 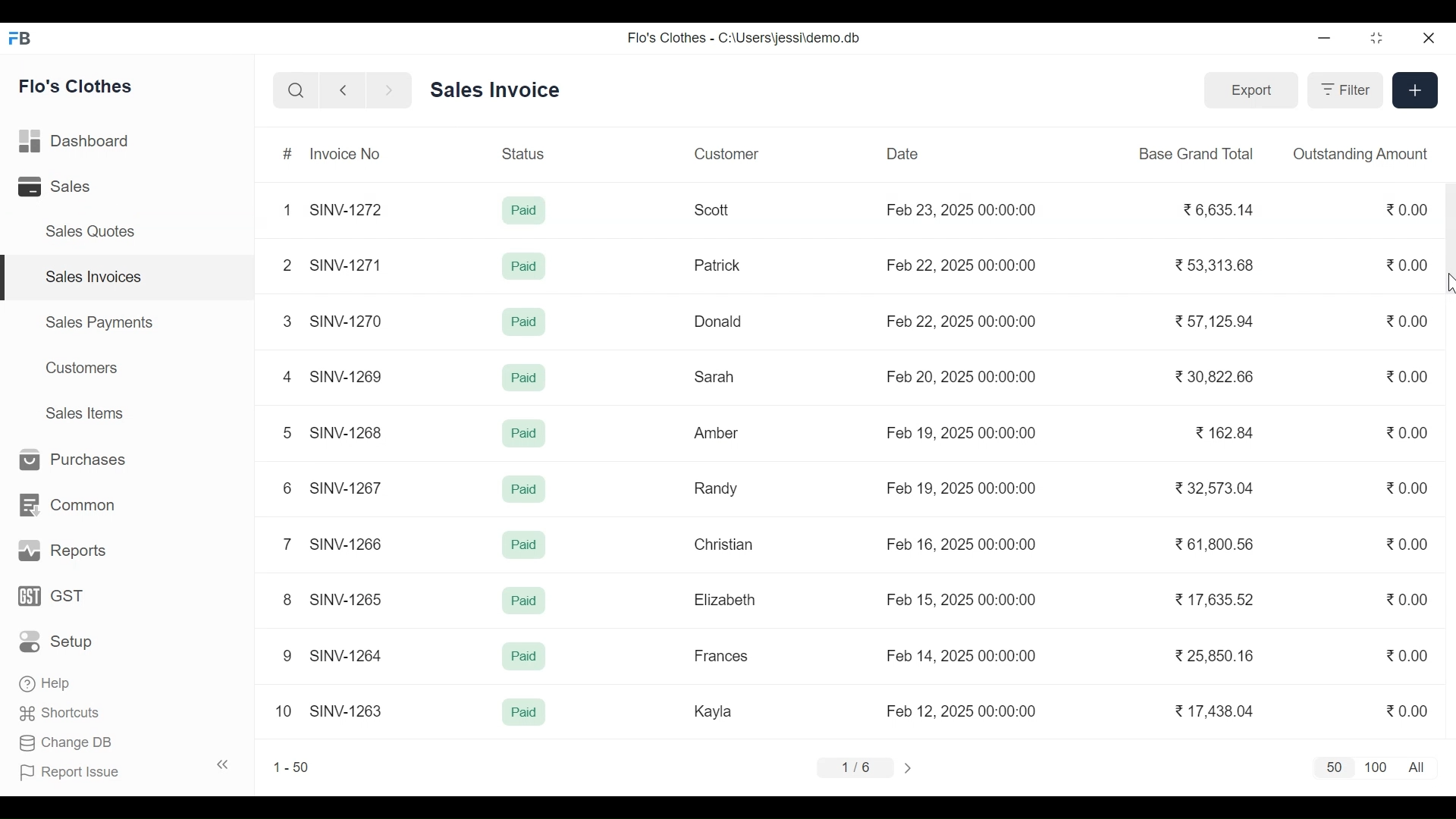 What do you see at coordinates (961, 321) in the screenshot?
I see `Feb 22, 2025 00:00:00` at bounding box center [961, 321].